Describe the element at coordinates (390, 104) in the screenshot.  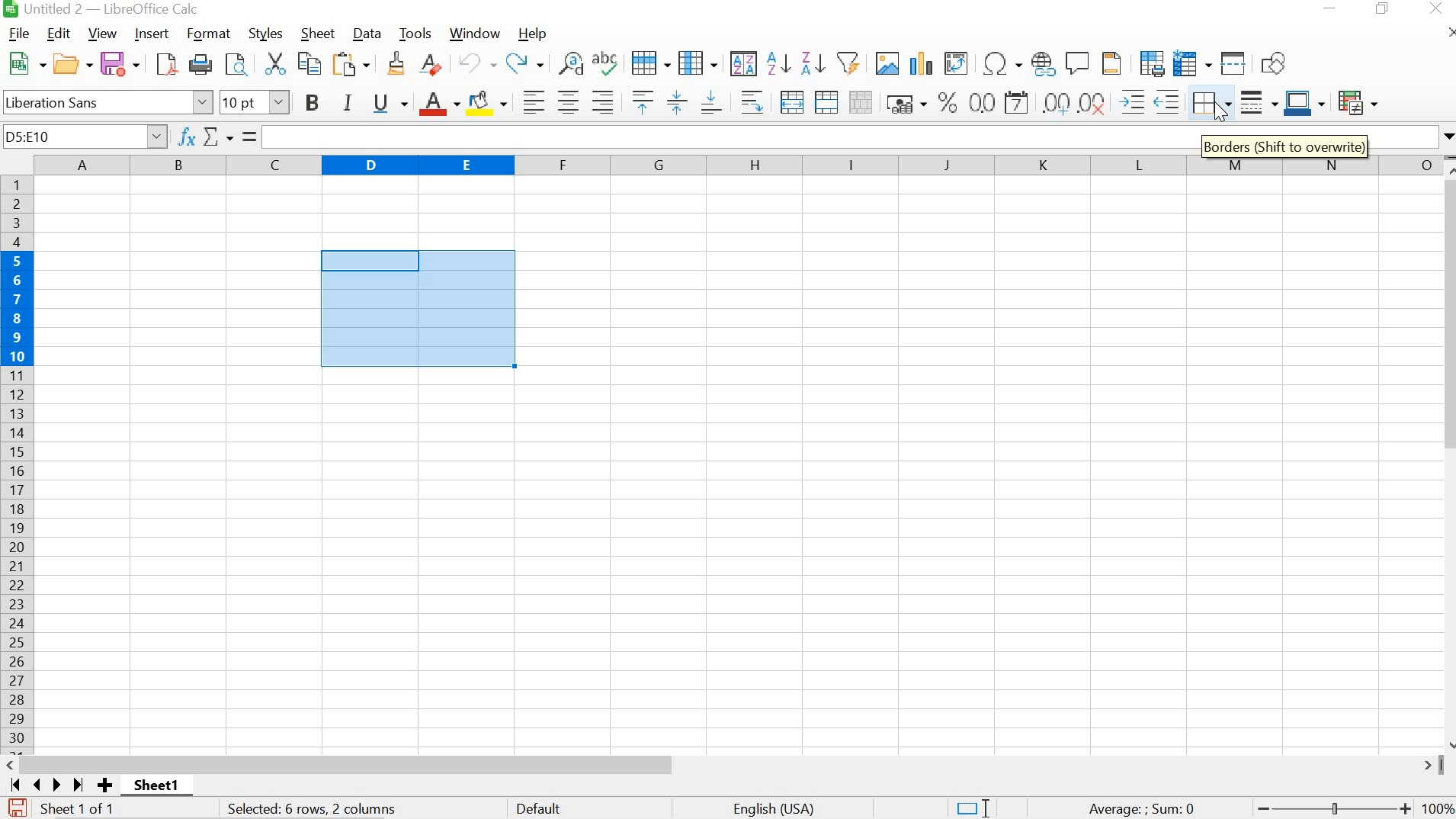
I see `UNDERLINE` at that location.